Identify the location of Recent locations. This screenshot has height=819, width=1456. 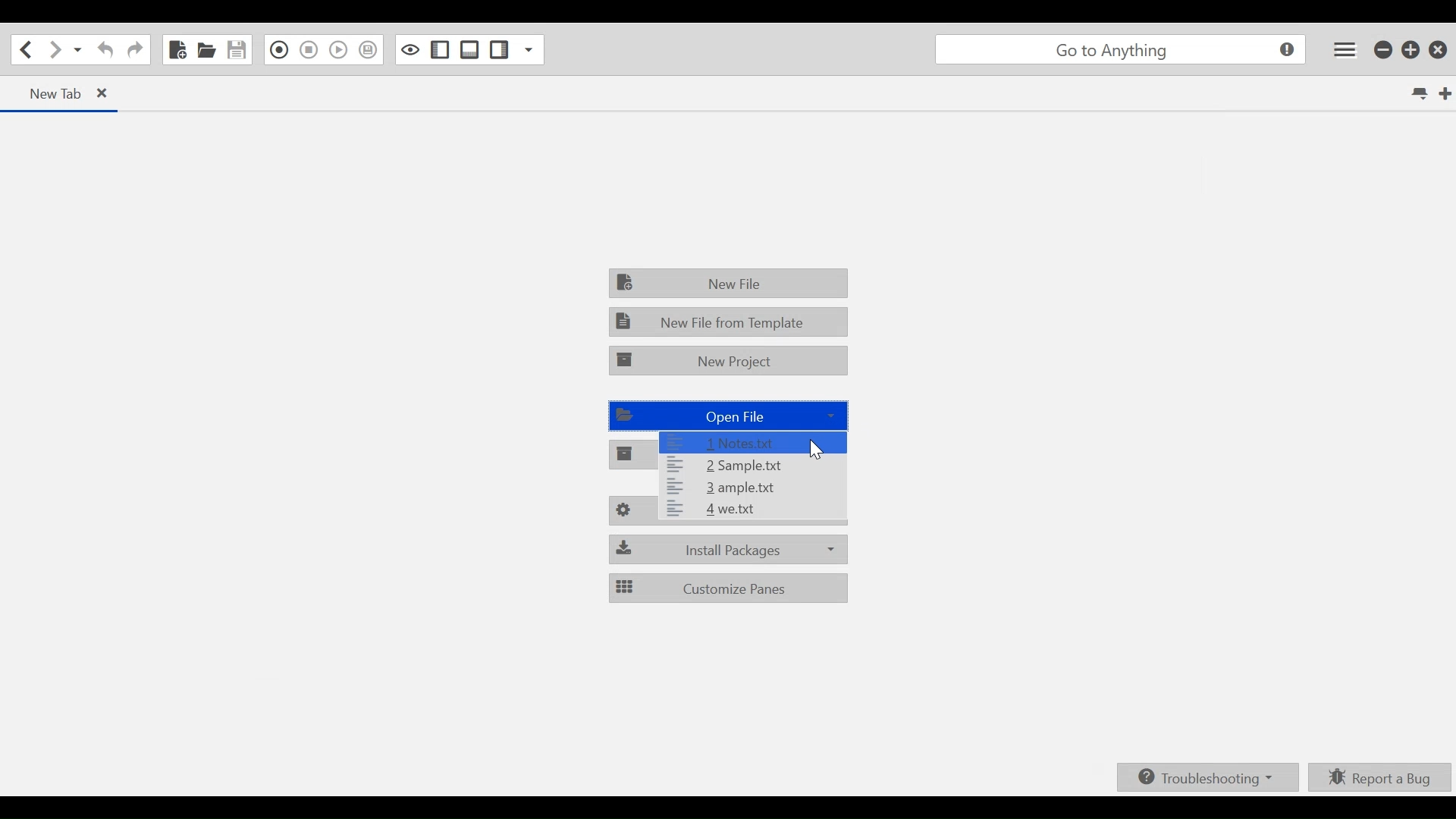
(78, 49).